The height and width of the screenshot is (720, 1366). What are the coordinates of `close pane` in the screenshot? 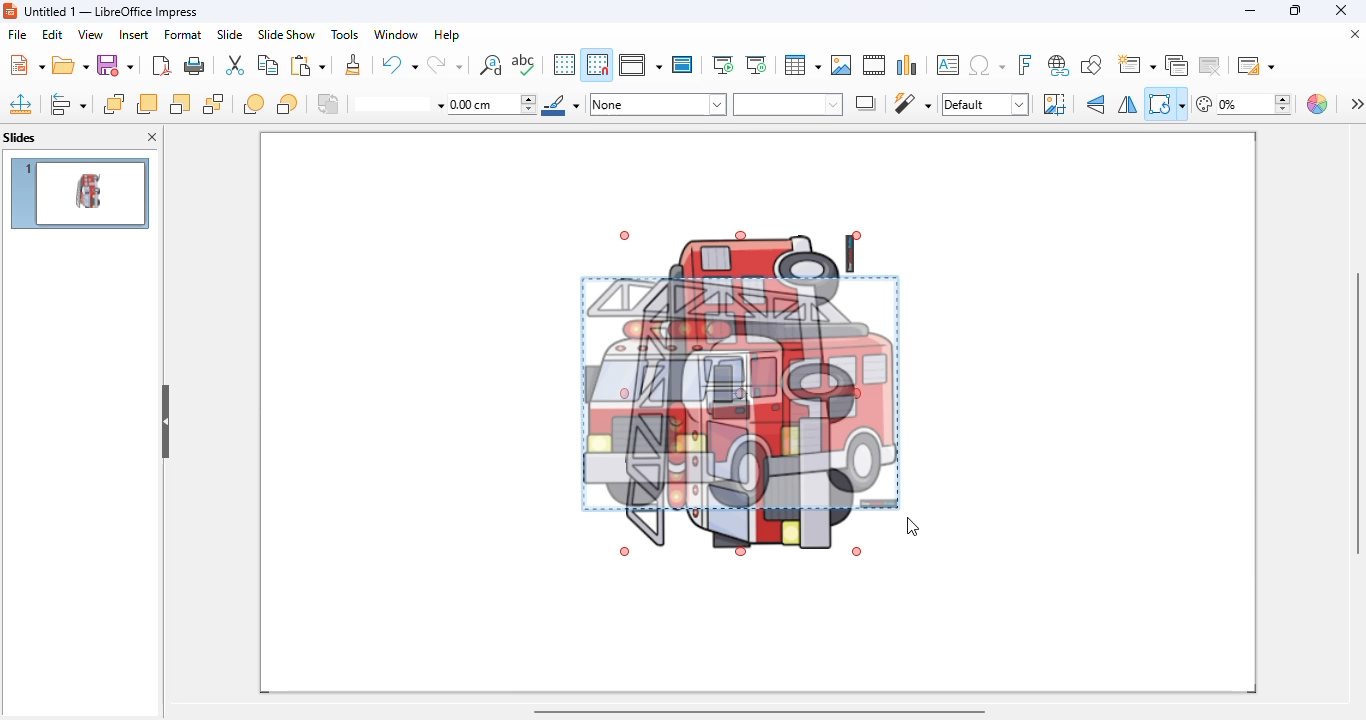 It's located at (152, 137).